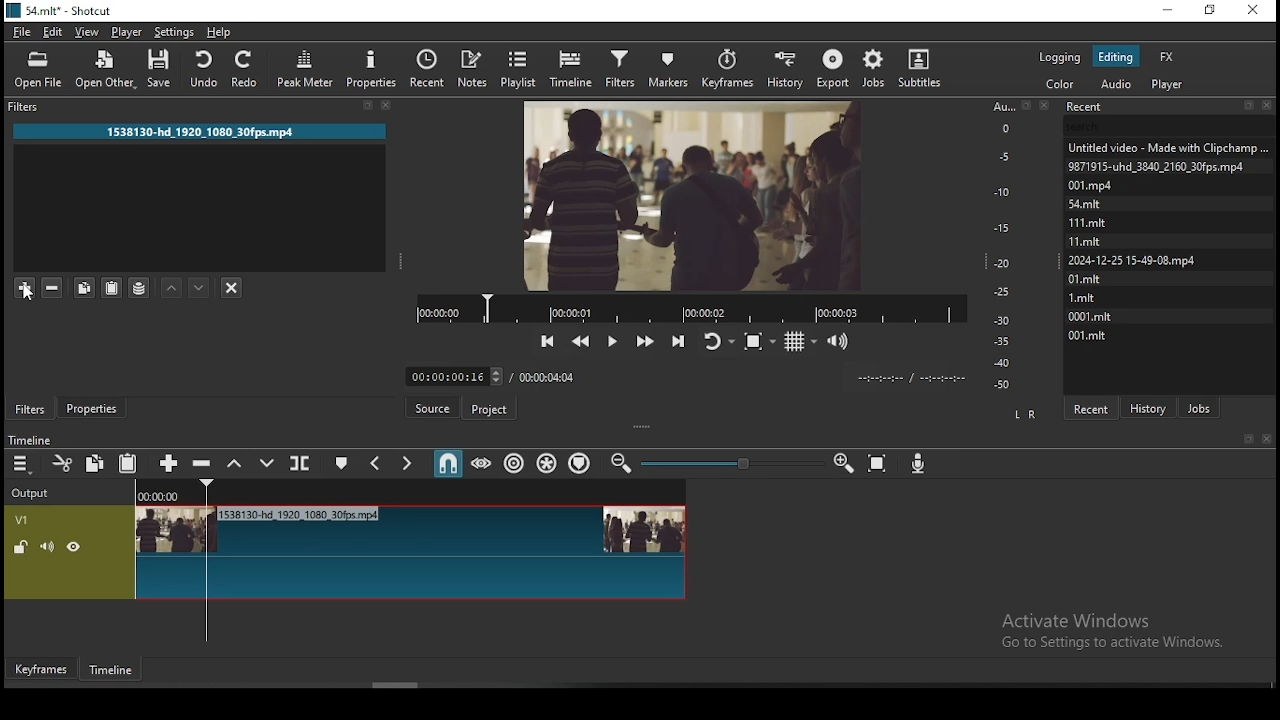 The image size is (1280, 720). I want to click on next marker, so click(405, 464).